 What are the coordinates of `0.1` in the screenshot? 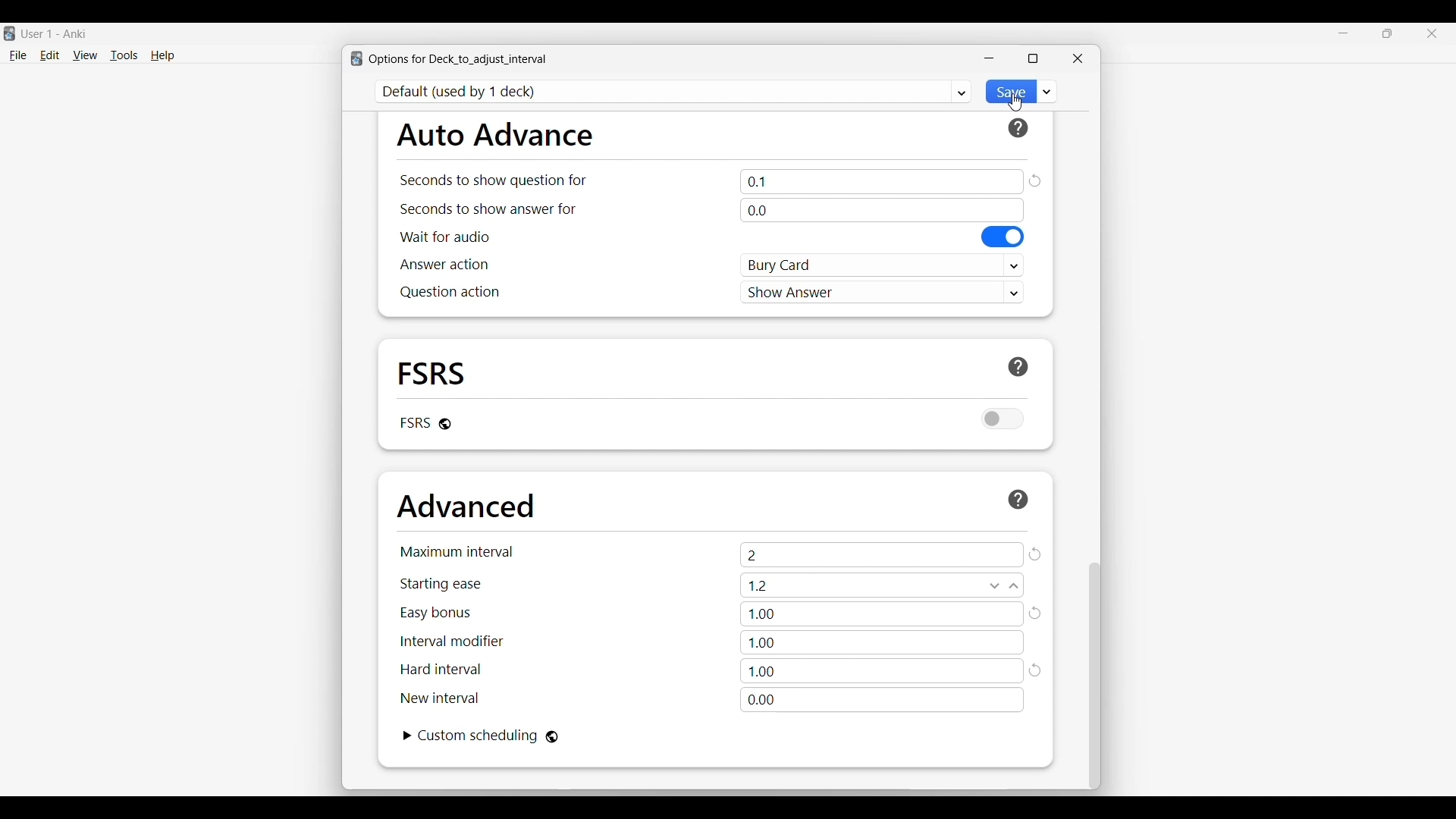 It's located at (882, 181).